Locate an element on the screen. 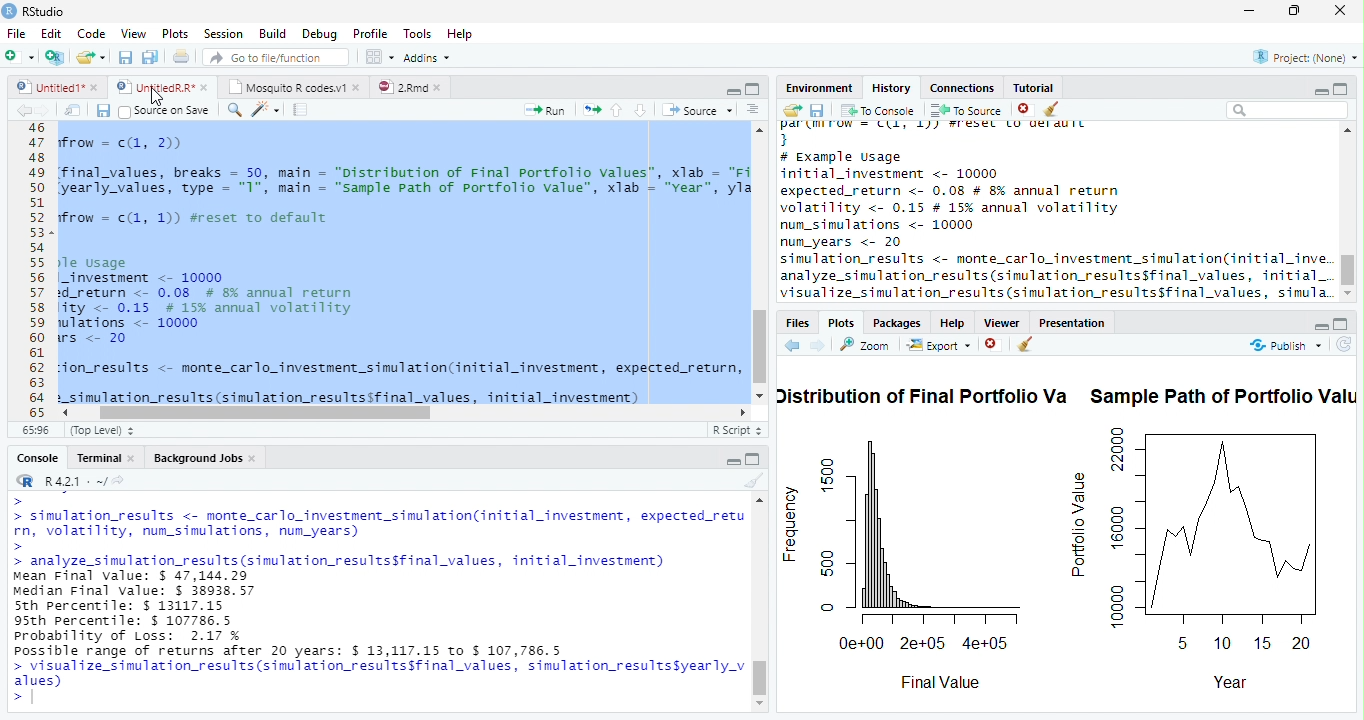  Session is located at coordinates (222, 33).